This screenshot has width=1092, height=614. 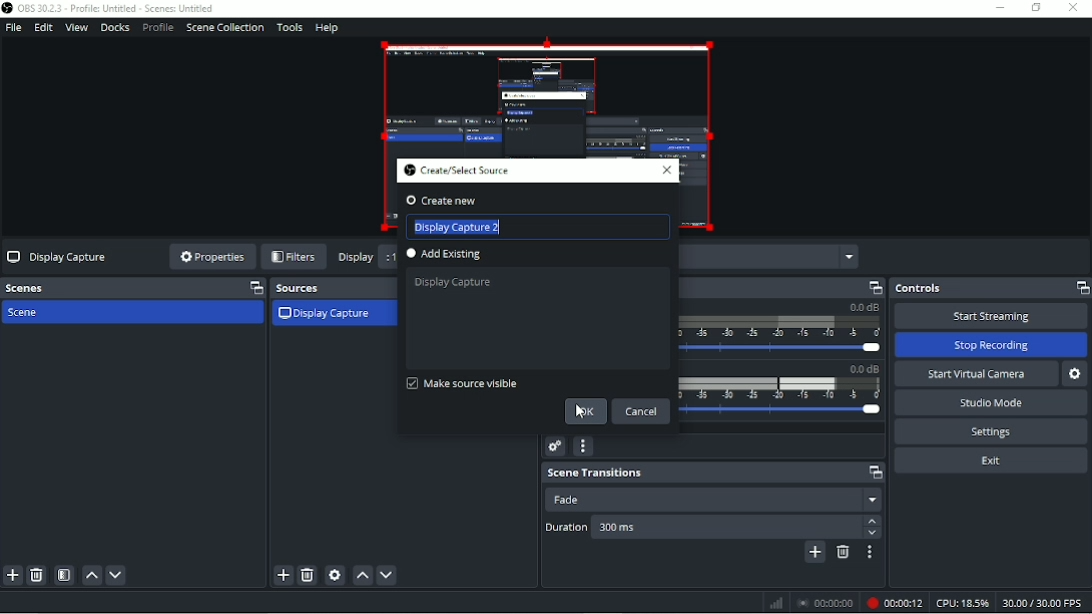 What do you see at coordinates (283, 576) in the screenshot?
I see `Add source` at bounding box center [283, 576].